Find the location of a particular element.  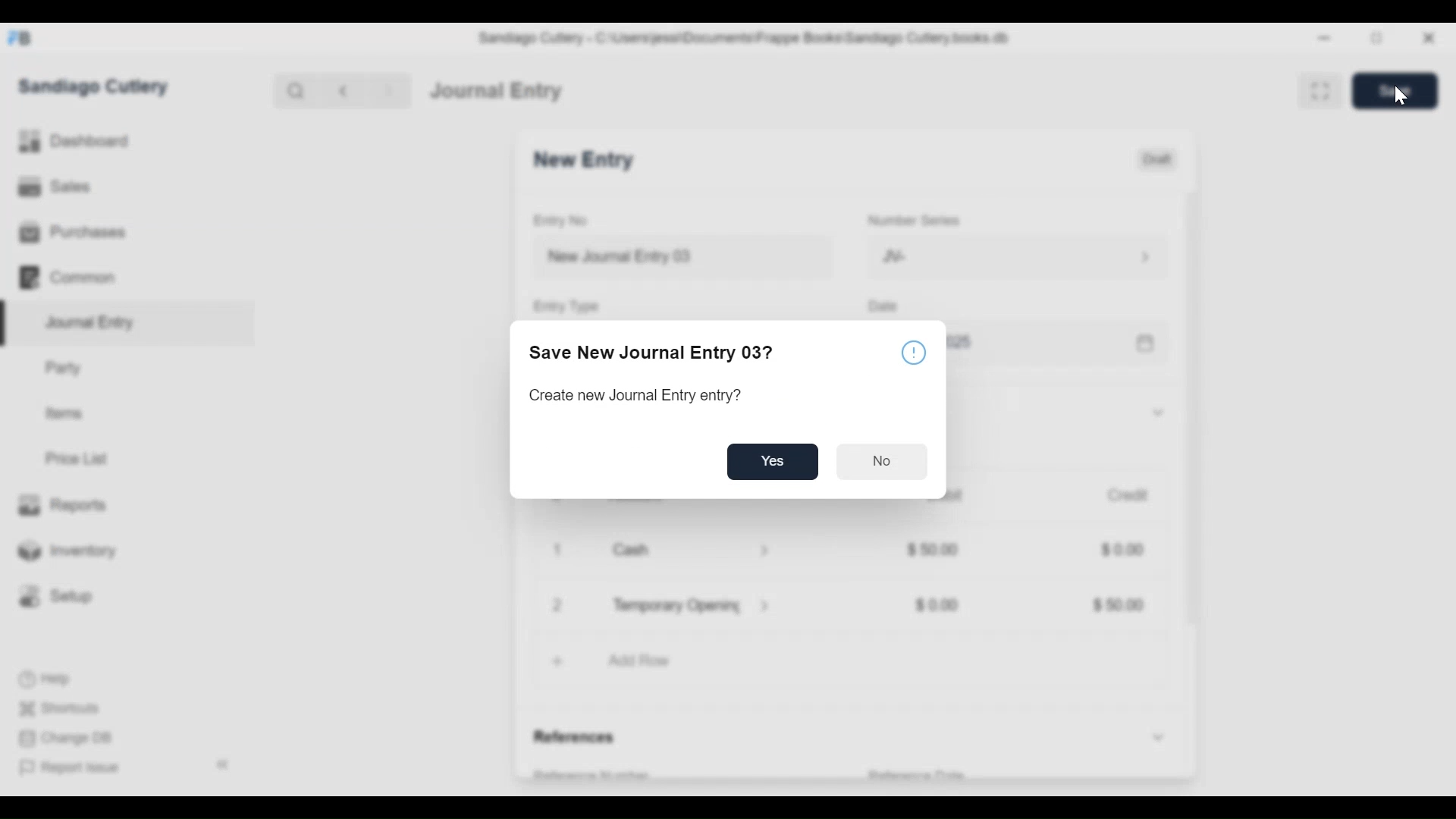

Cursor is located at coordinates (1403, 96).